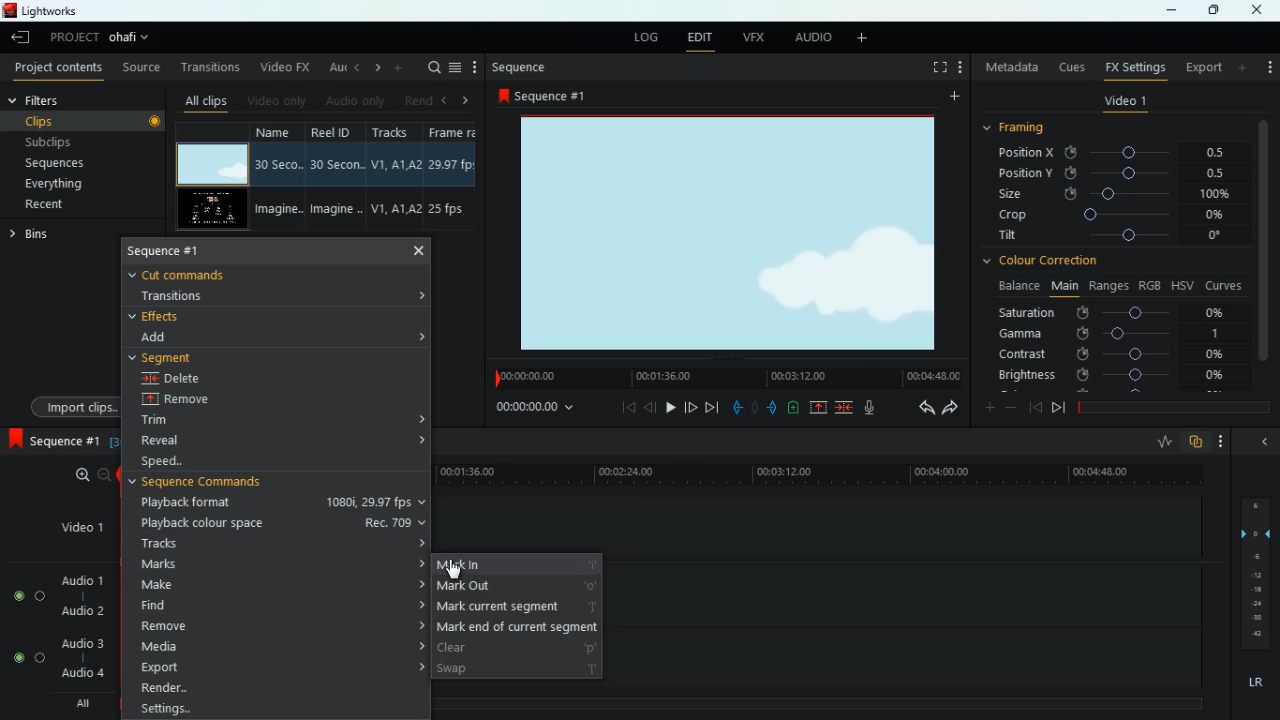 This screenshot has width=1280, height=720. Describe the element at coordinates (1133, 67) in the screenshot. I see `fx settings` at that location.